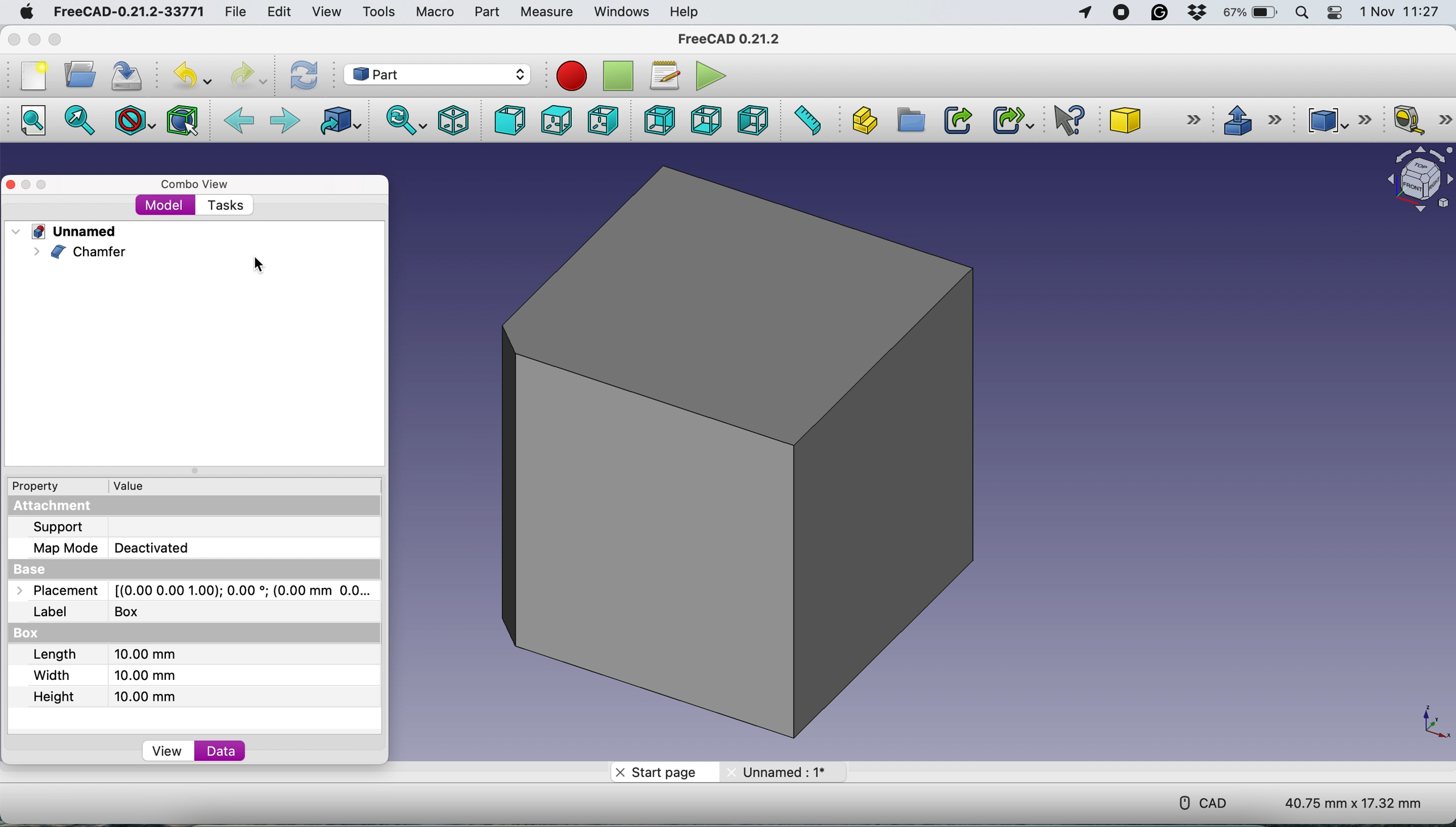 The image size is (1456, 827). What do you see at coordinates (242, 76) in the screenshot?
I see `redo` at bounding box center [242, 76].